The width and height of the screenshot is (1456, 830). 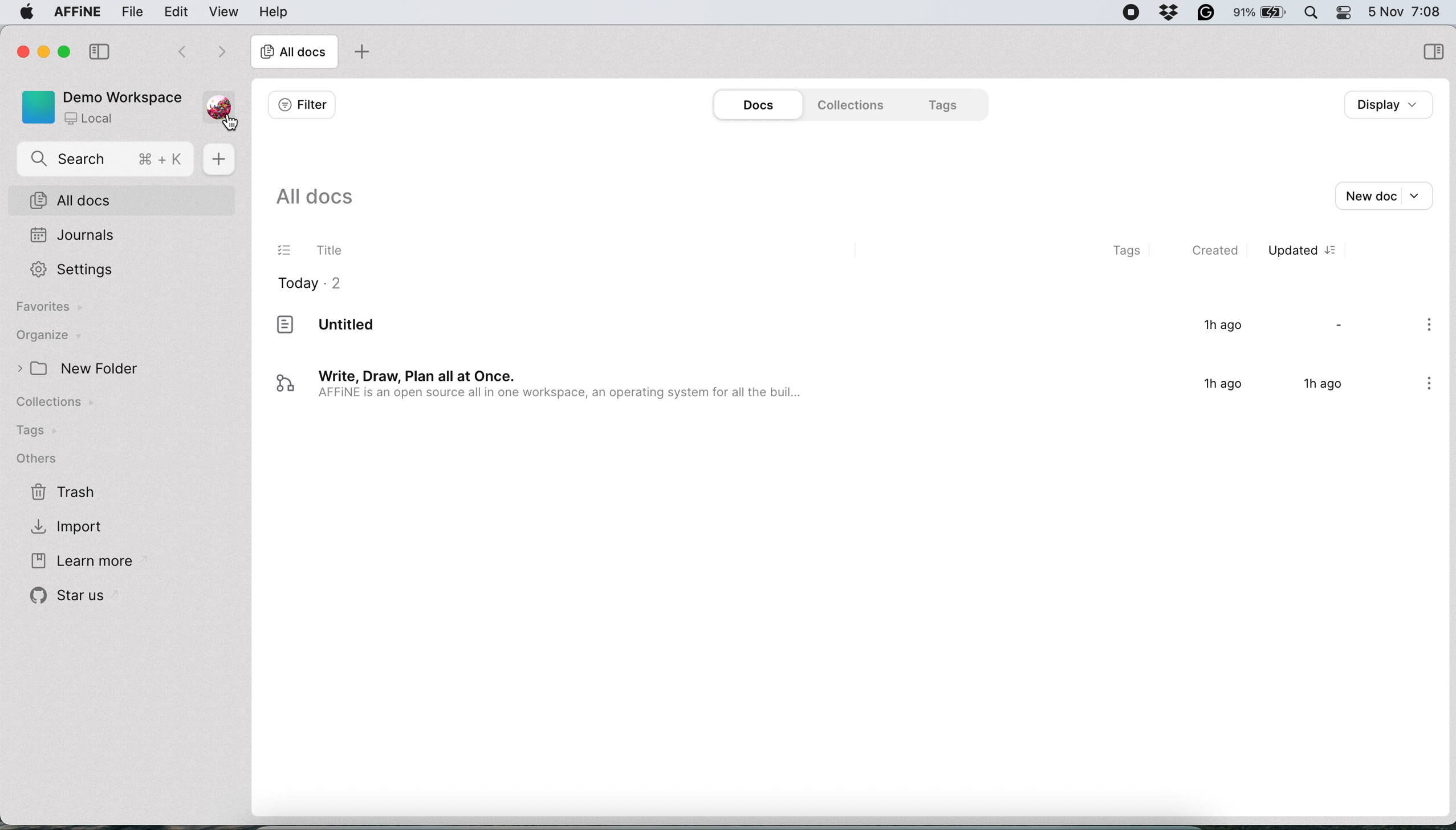 What do you see at coordinates (61, 336) in the screenshot?
I see `organize` at bounding box center [61, 336].